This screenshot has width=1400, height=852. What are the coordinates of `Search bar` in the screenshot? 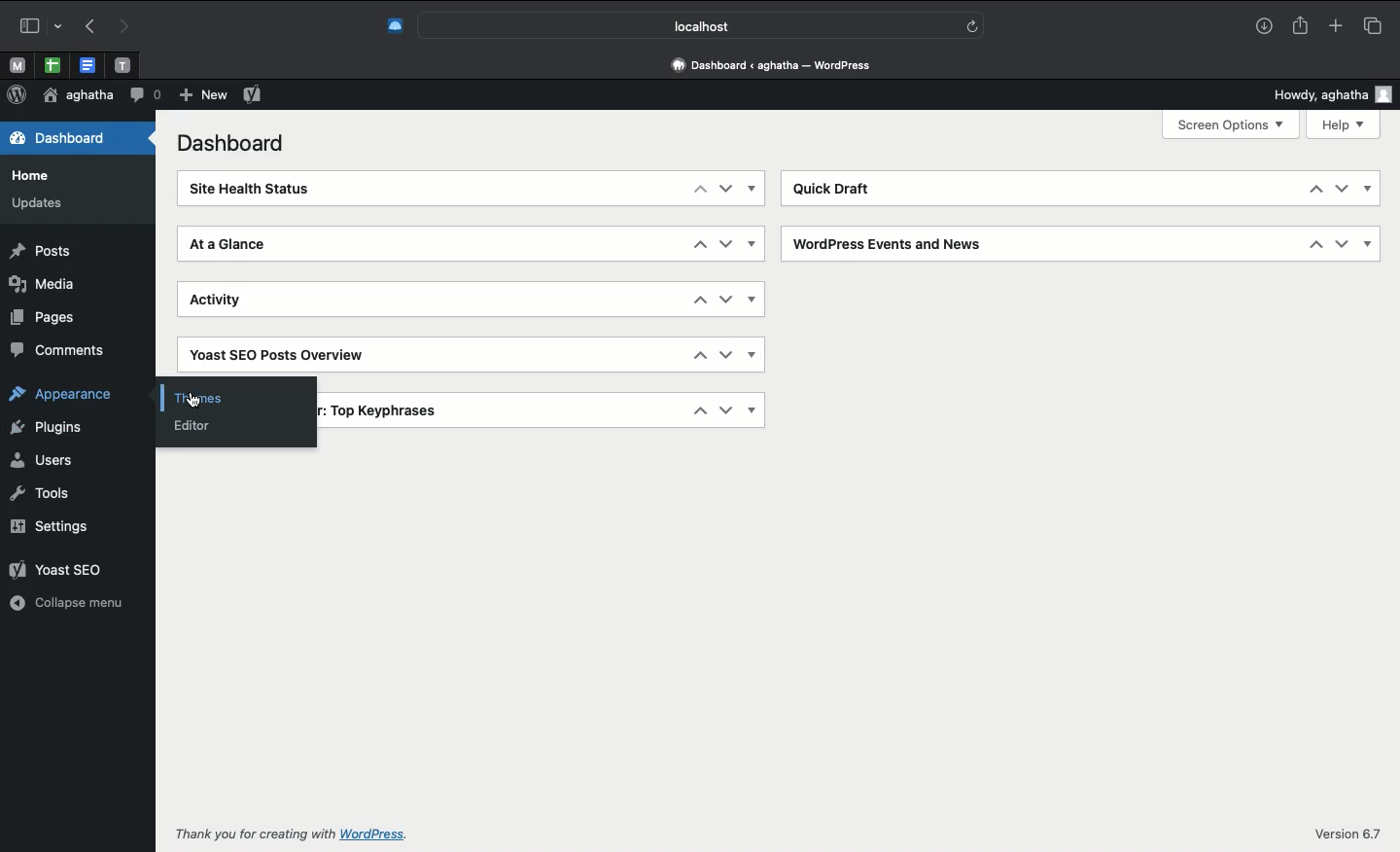 It's located at (704, 25).